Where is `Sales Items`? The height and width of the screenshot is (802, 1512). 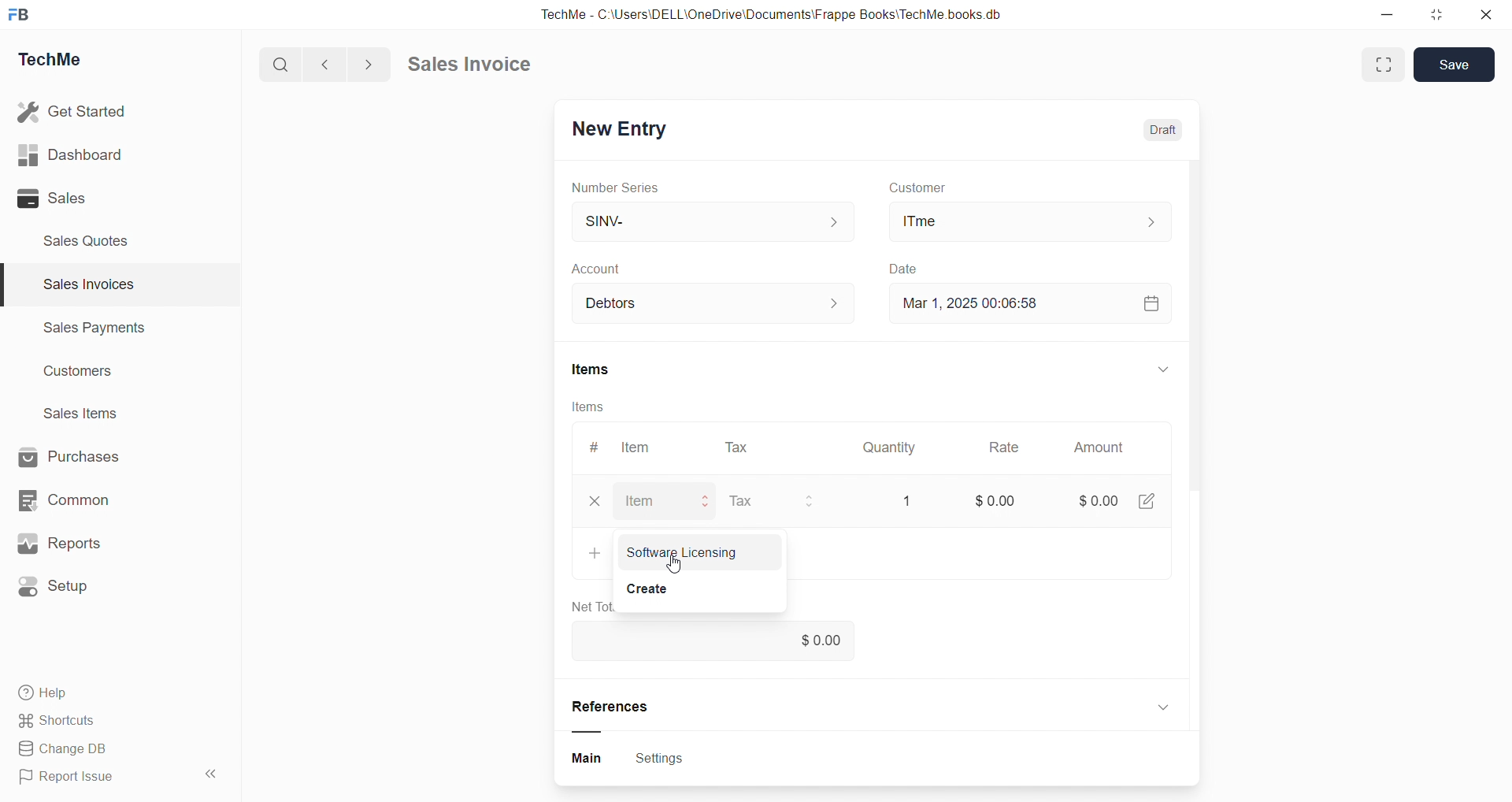
Sales Items is located at coordinates (87, 415).